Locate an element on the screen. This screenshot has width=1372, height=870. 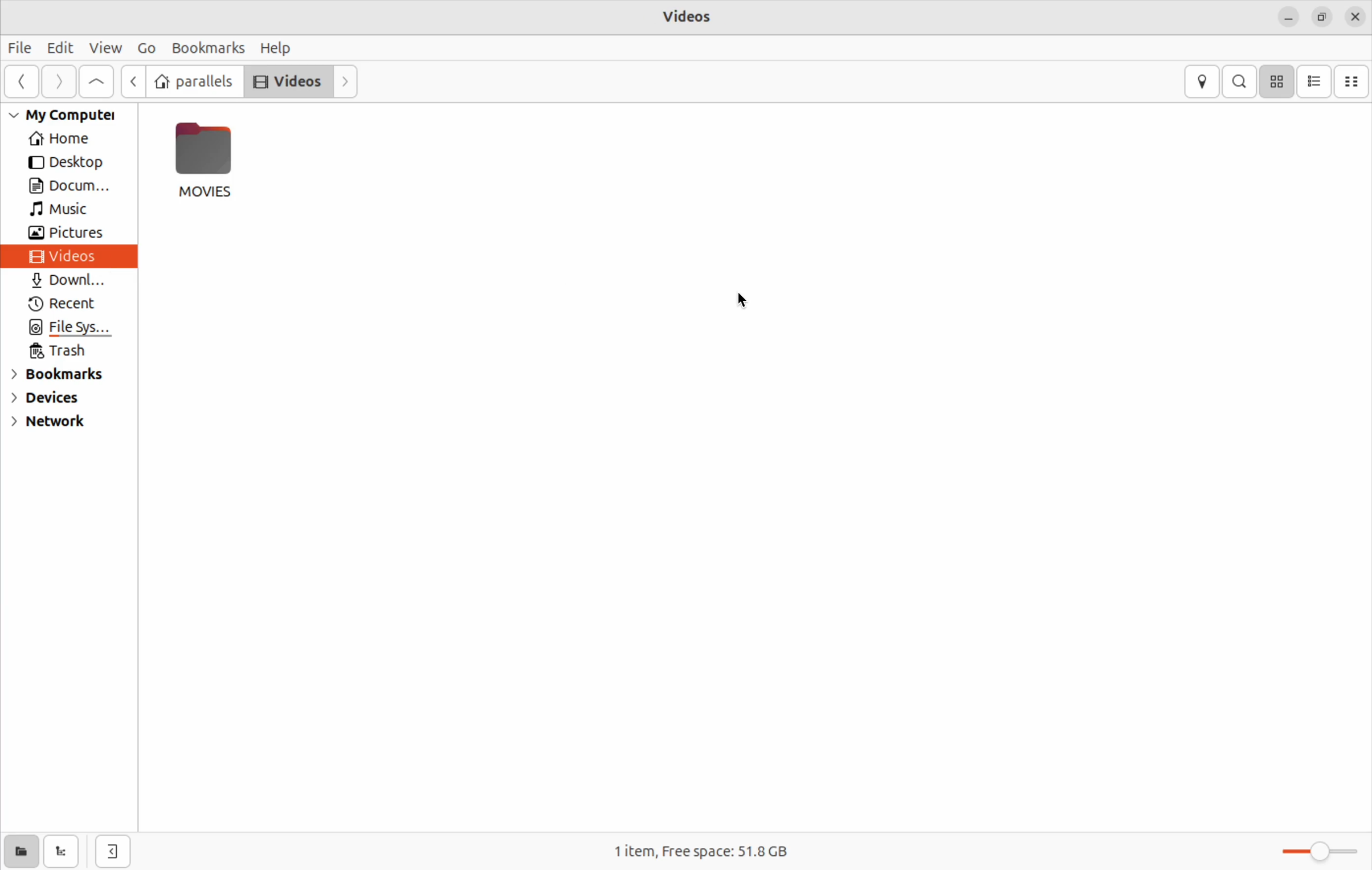
Documents is located at coordinates (72, 187).